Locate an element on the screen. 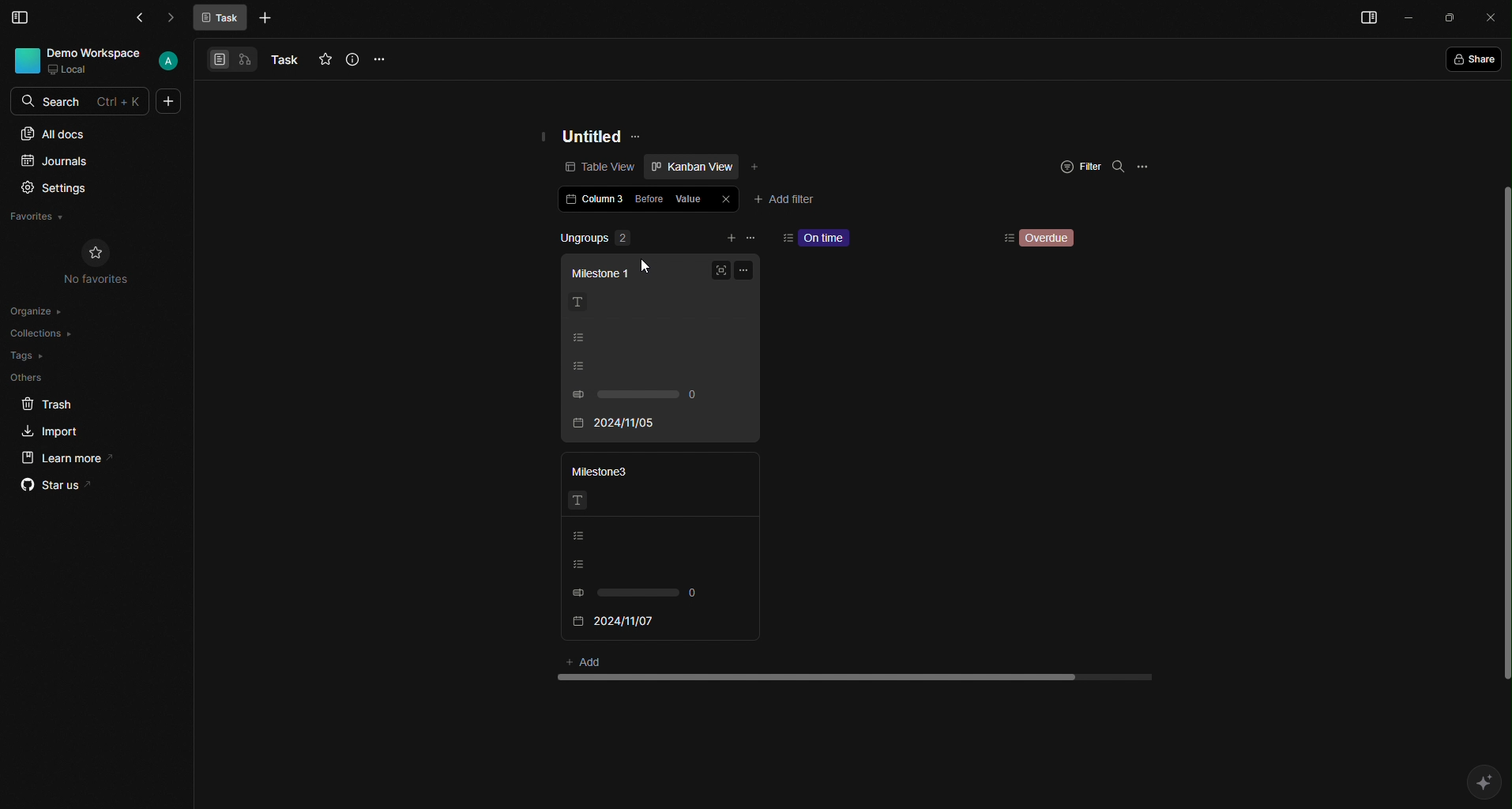 The width and height of the screenshot is (1512, 809). All docs is located at coordinates (54, 135).